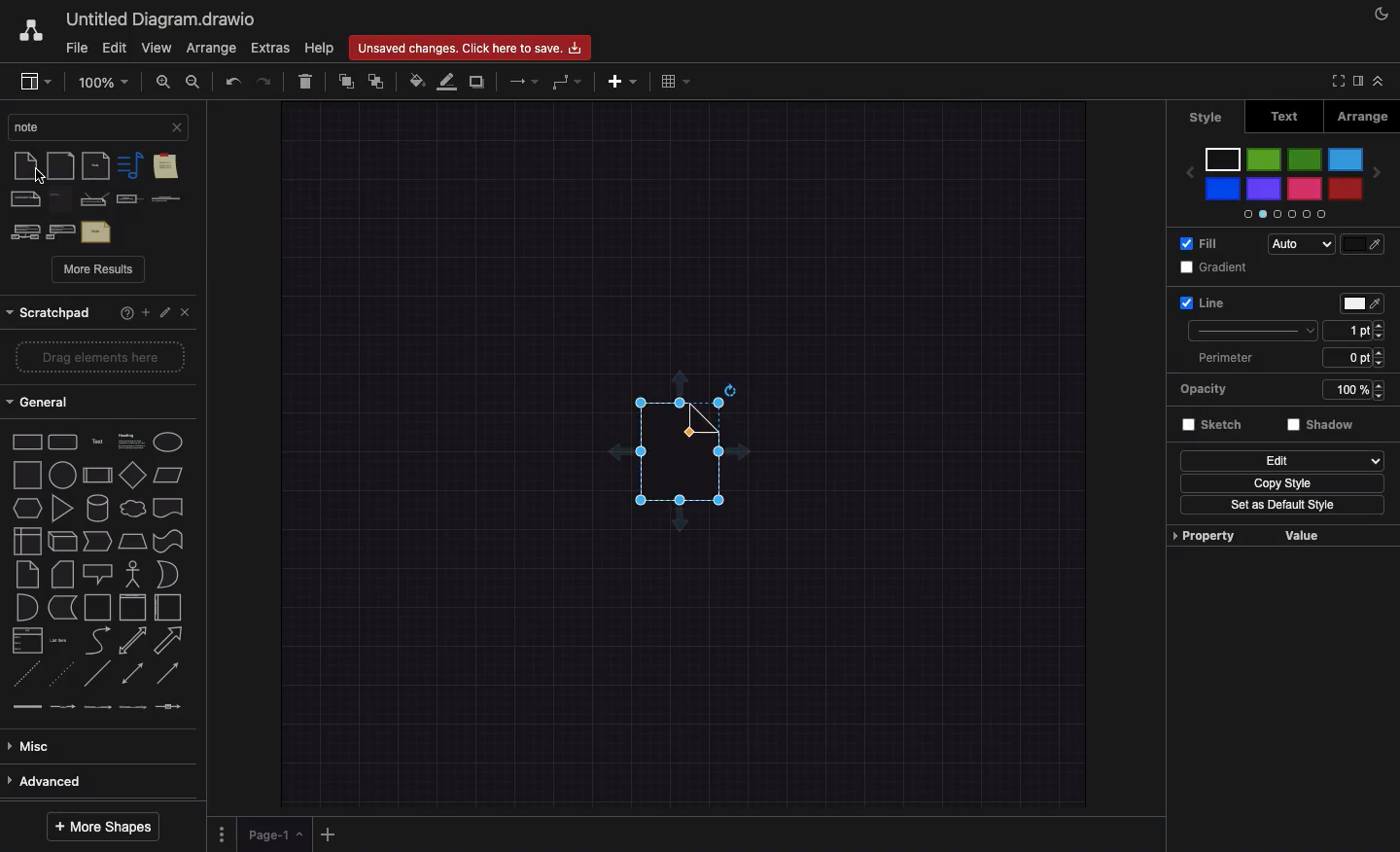  Describe the element at coordinates (155, 49) in the screenshot. I see `View` at that location.